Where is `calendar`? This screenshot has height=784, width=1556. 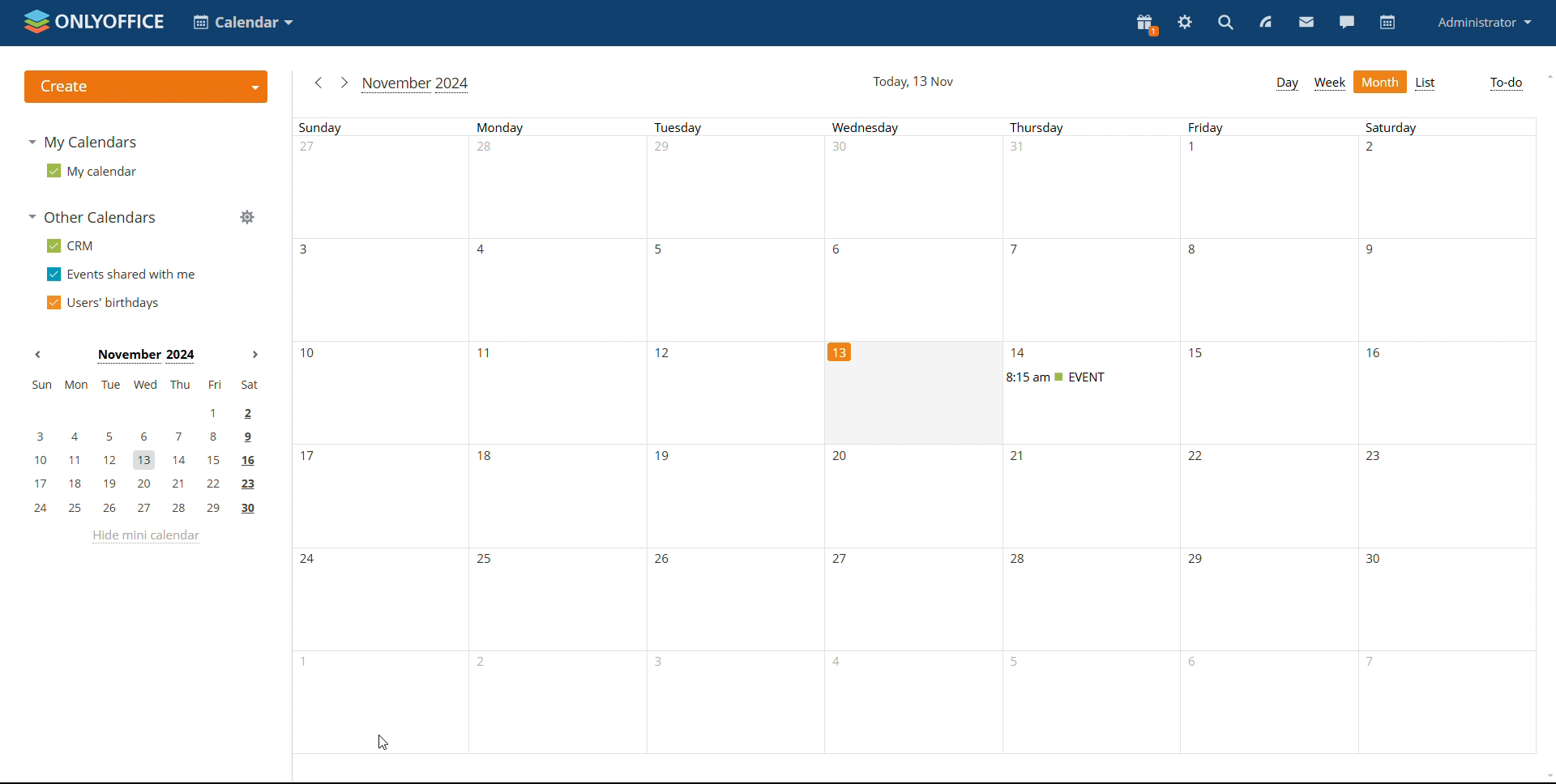 calendar is located at coordinates (1386, 23).